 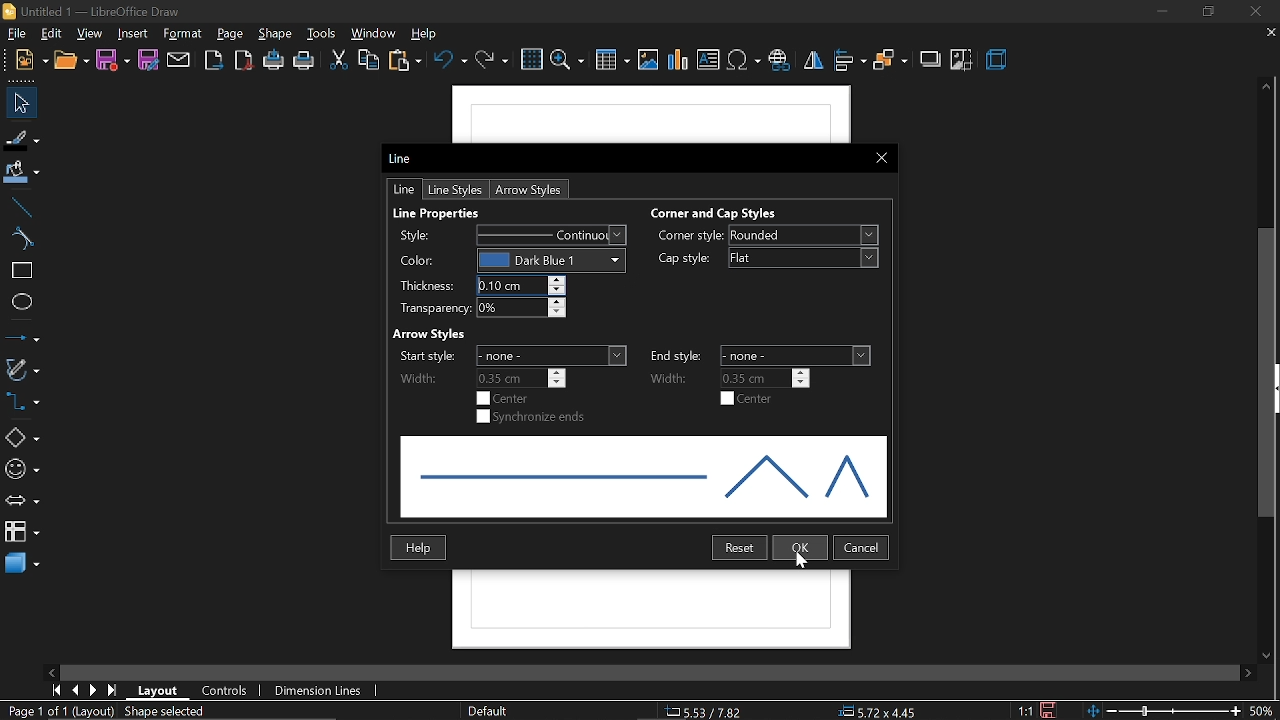 I want to click on Style:, so click(x=421, y=235).